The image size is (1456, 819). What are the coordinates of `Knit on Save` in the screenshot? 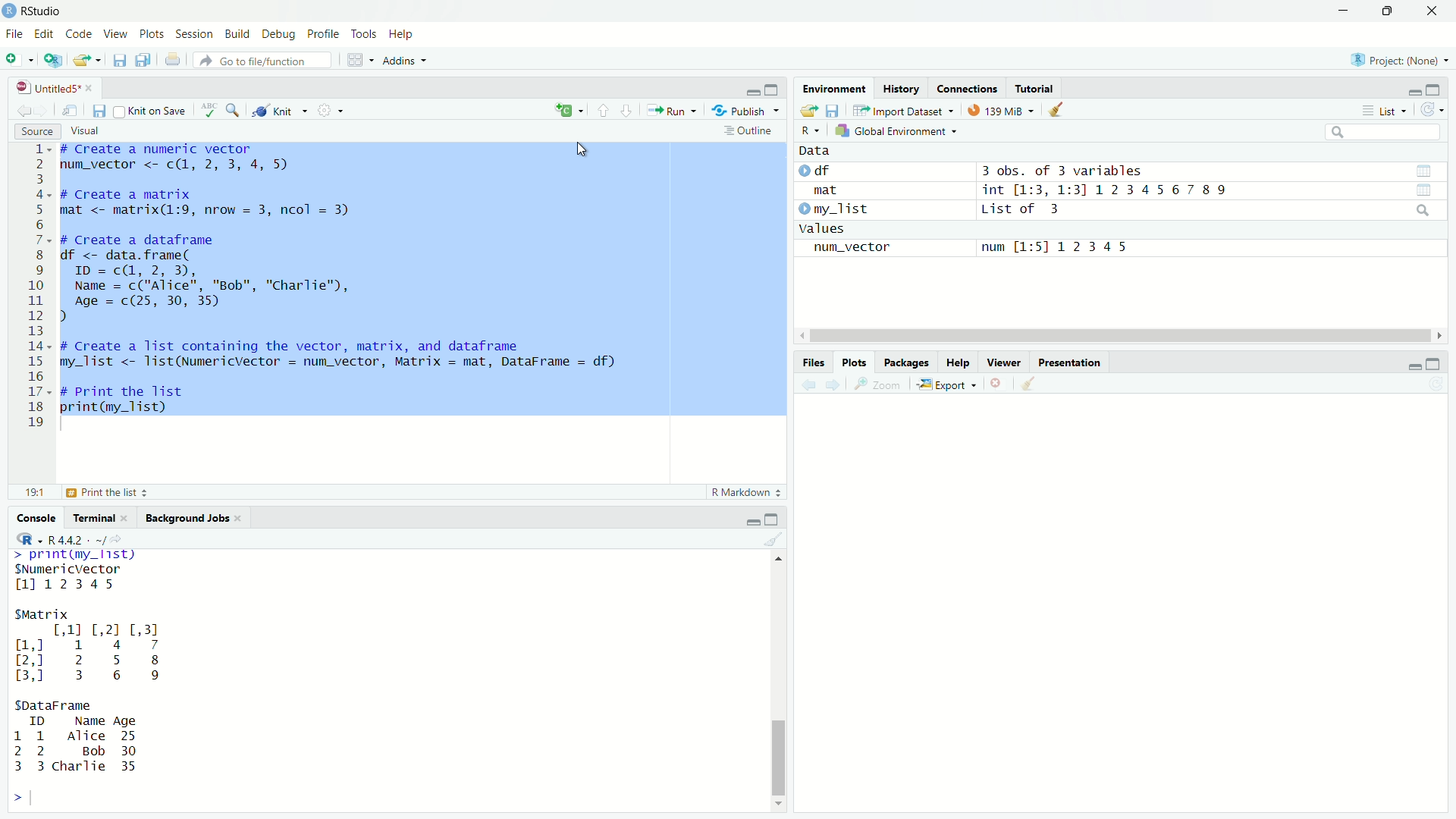 It's located at (148, 110).